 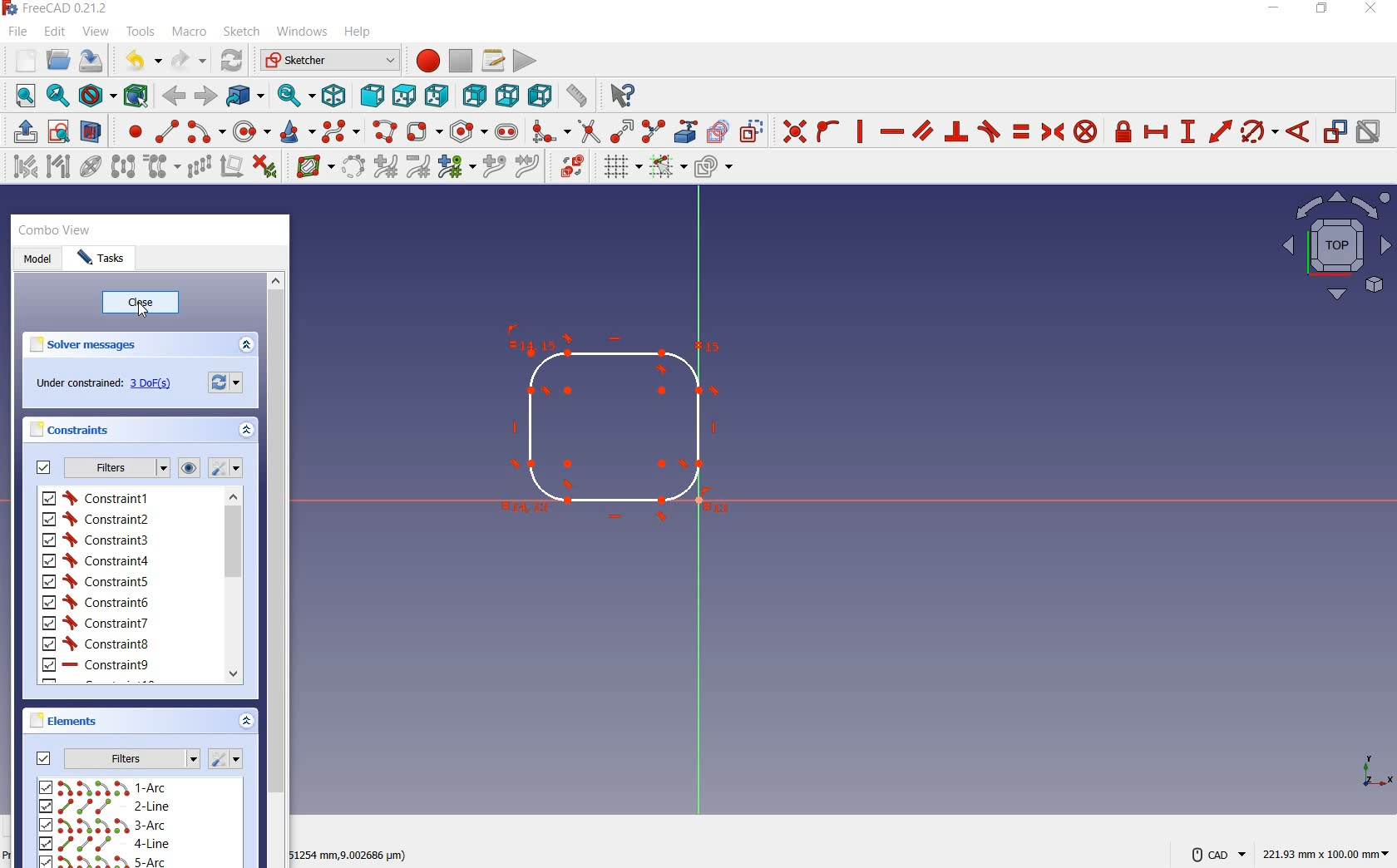 What do you see at coordinates (190, 31) in the screenshot?
I see `macro` at bounding box center [190, 31].